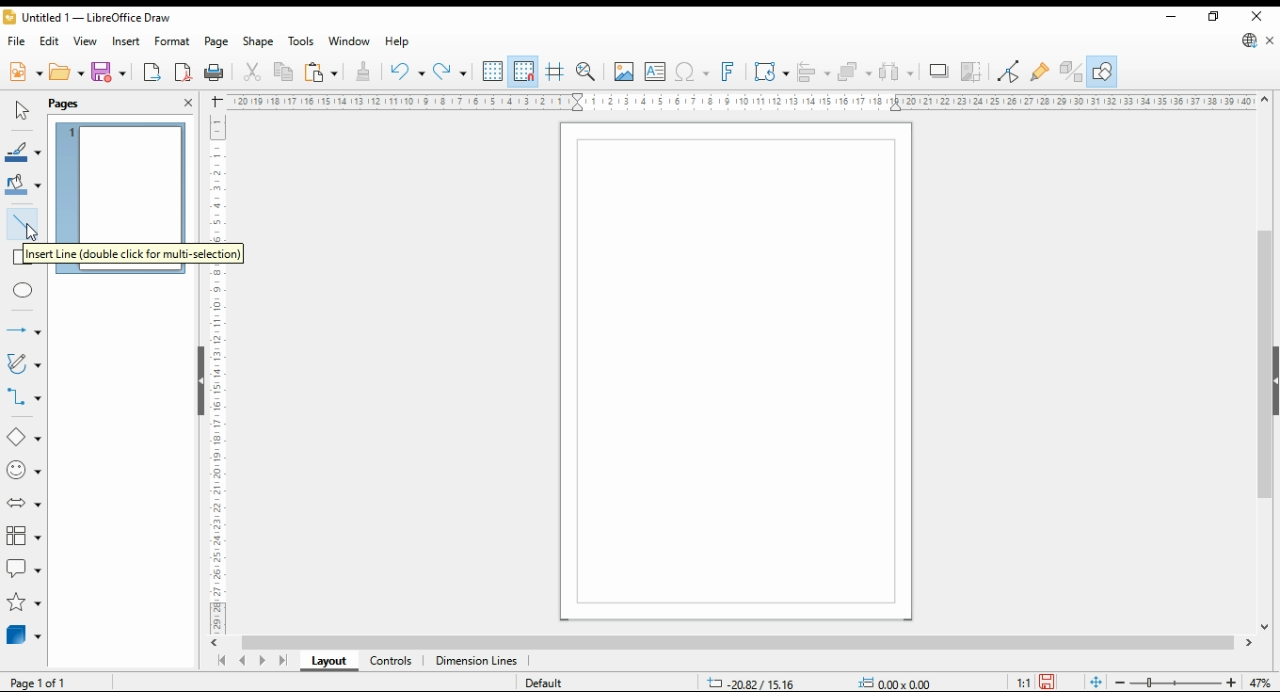 This screenshot has width=1280, height=692. I want to click on move right, so click(1251, 645).